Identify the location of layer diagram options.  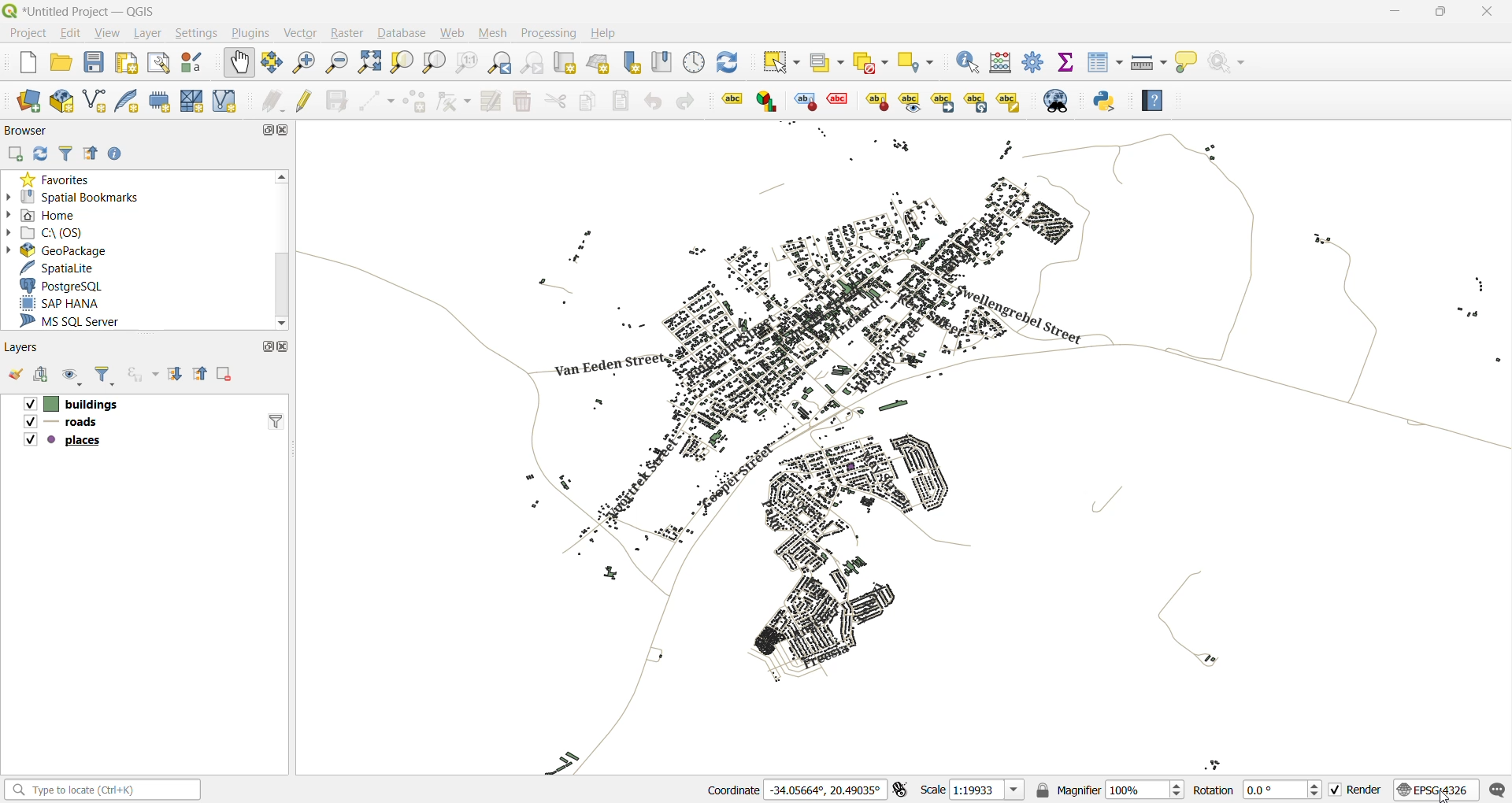
(767, 101).